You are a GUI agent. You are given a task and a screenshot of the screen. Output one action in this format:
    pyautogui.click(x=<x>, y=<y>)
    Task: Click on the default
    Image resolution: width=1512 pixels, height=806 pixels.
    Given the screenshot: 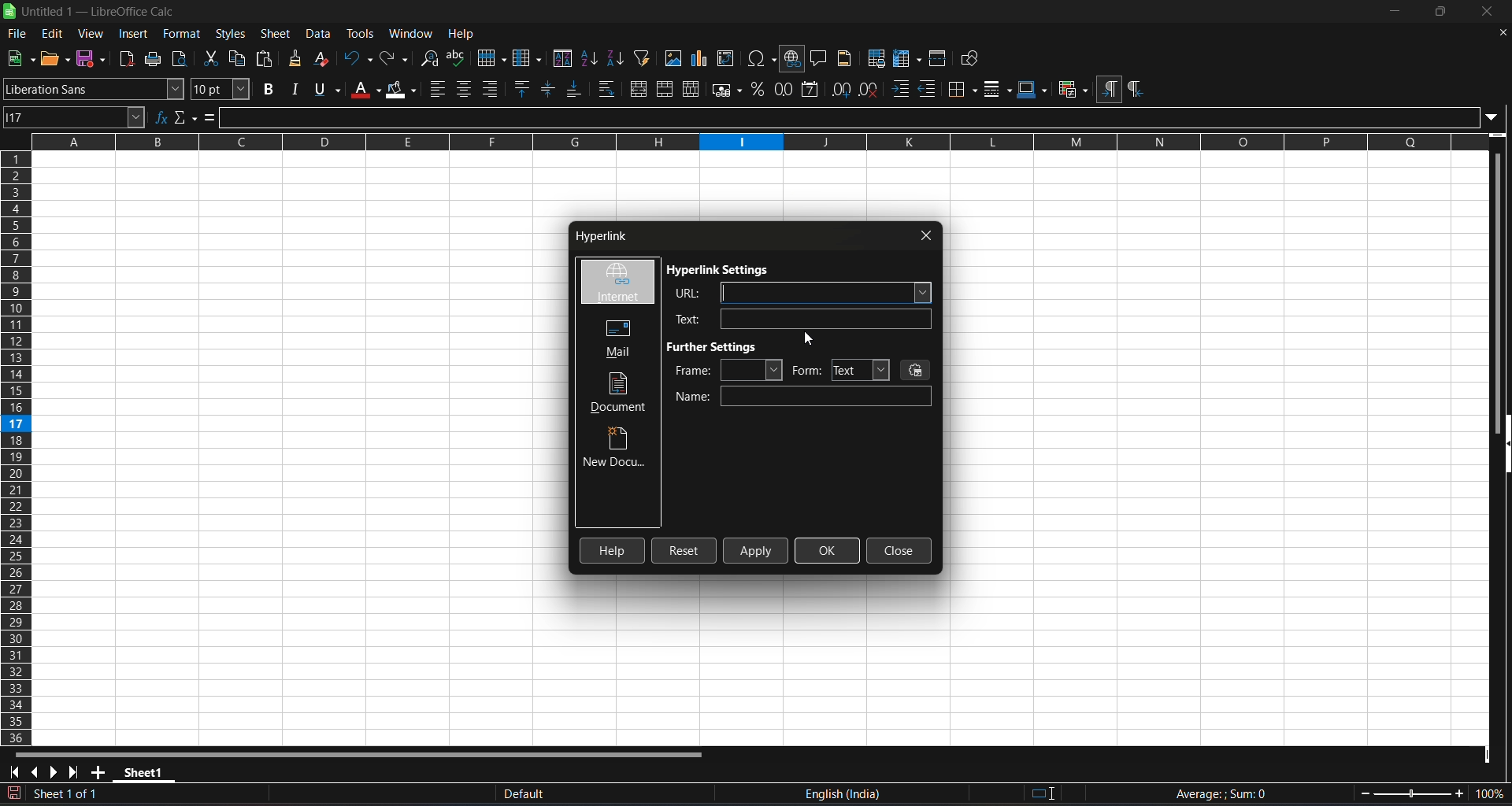 What is the action you would take?
    pyautogui.click(x=646, y=794)
    